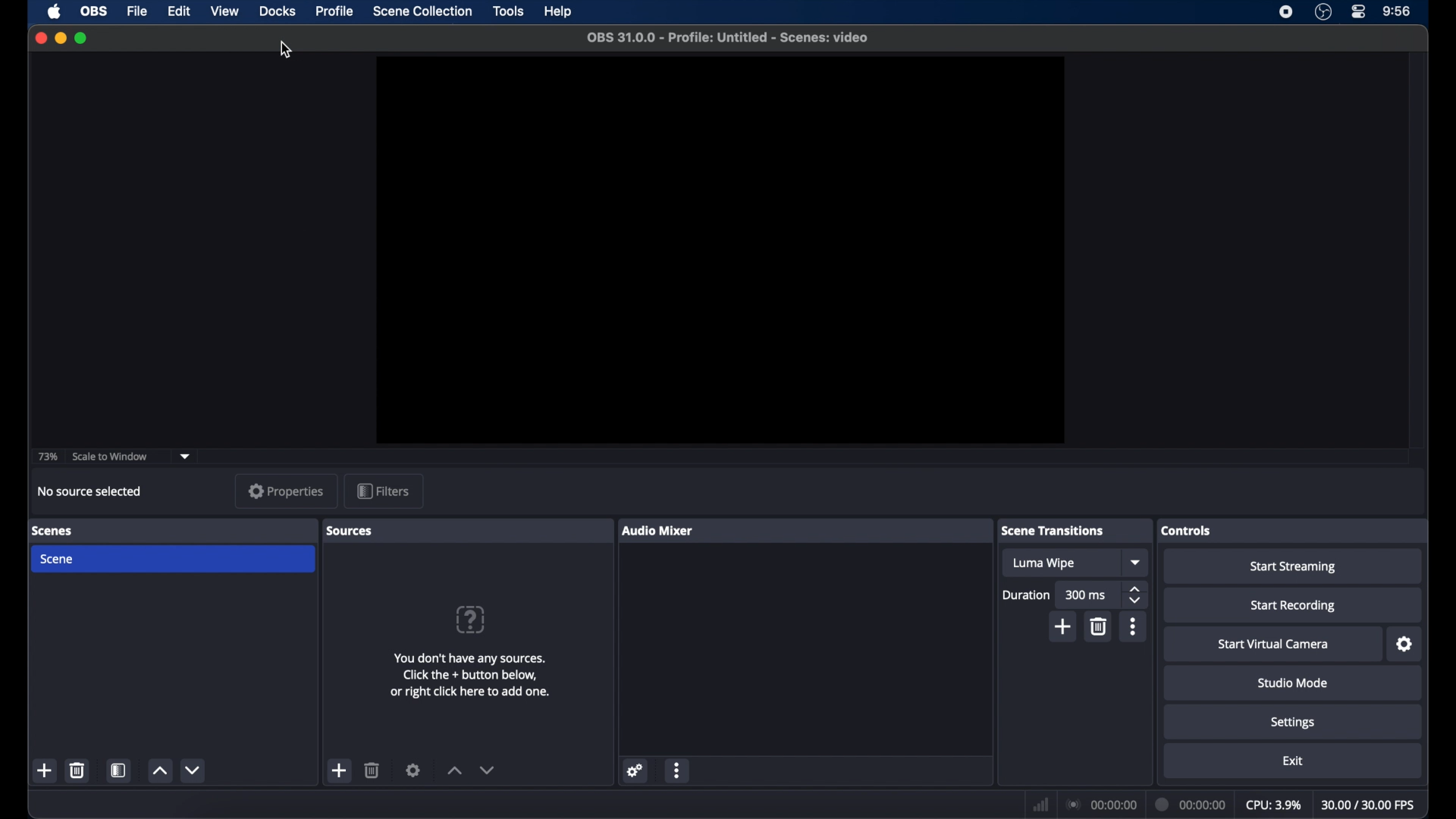  What do you see at coordinates (1404, 644) in the screenshot?
I see `settings` at bounding box center [1404, 644].